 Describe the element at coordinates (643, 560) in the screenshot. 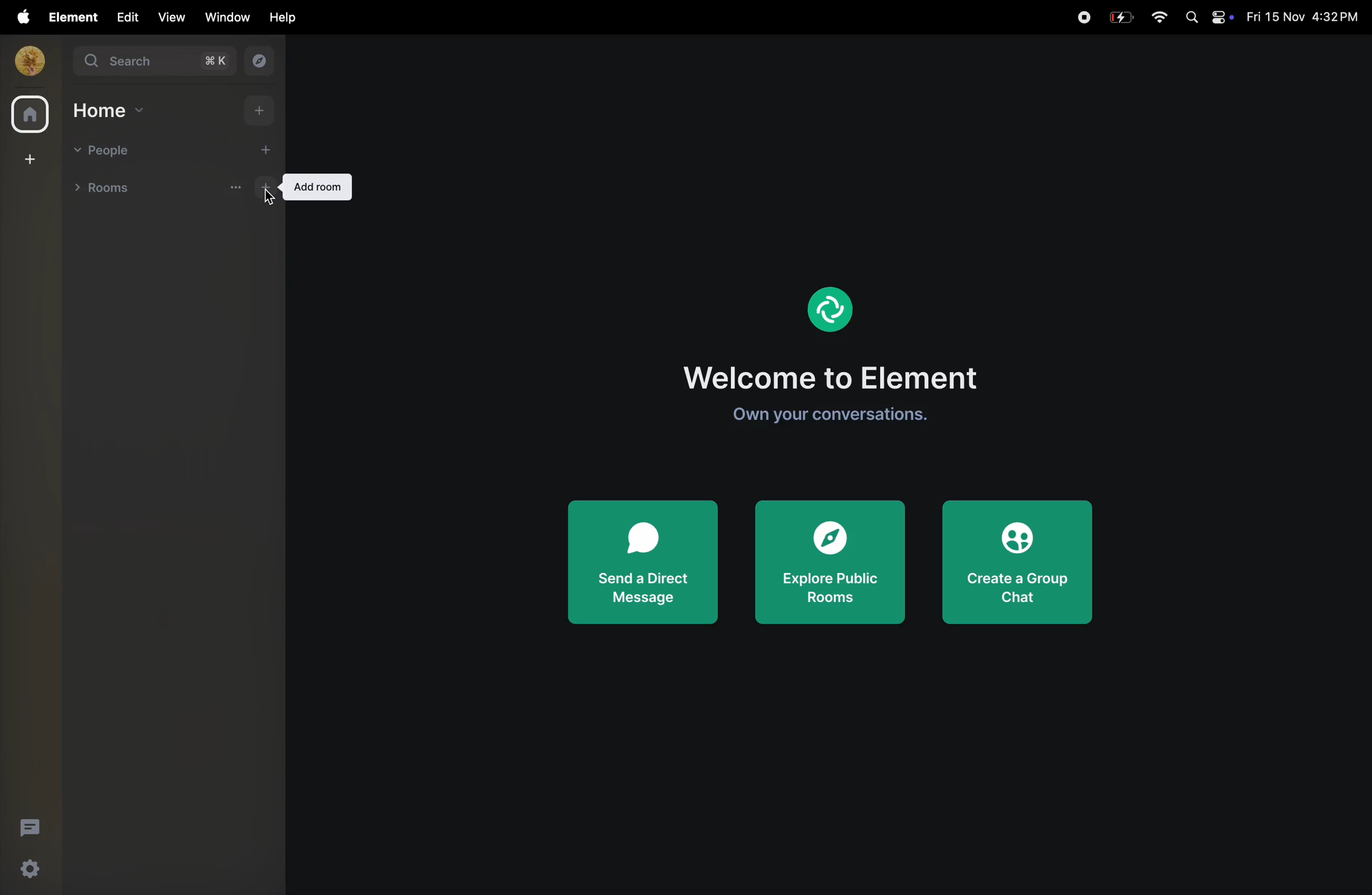

I see `send direct messages` at that location.